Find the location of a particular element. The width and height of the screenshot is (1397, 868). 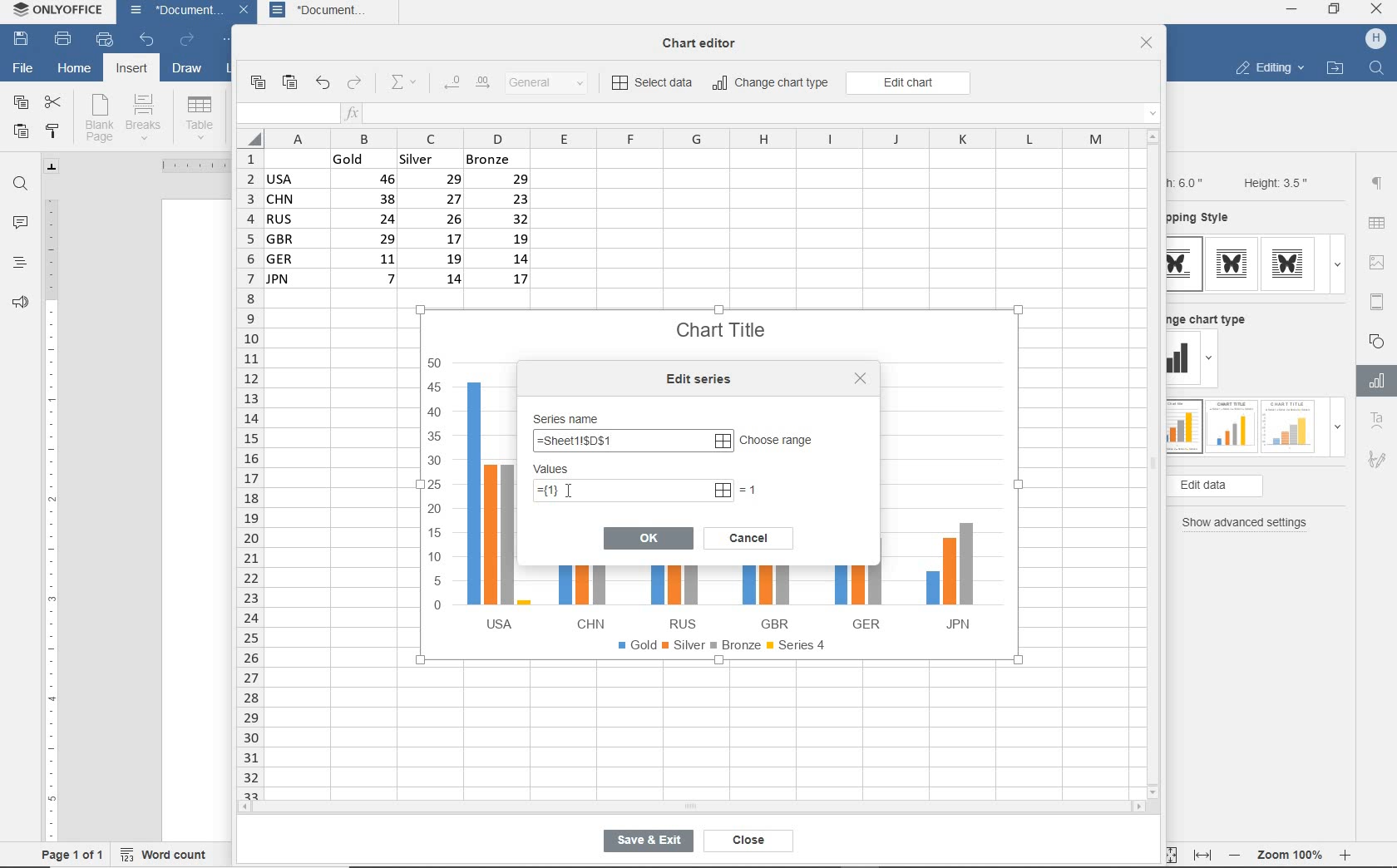

number format is located at coordinates (553, 84).